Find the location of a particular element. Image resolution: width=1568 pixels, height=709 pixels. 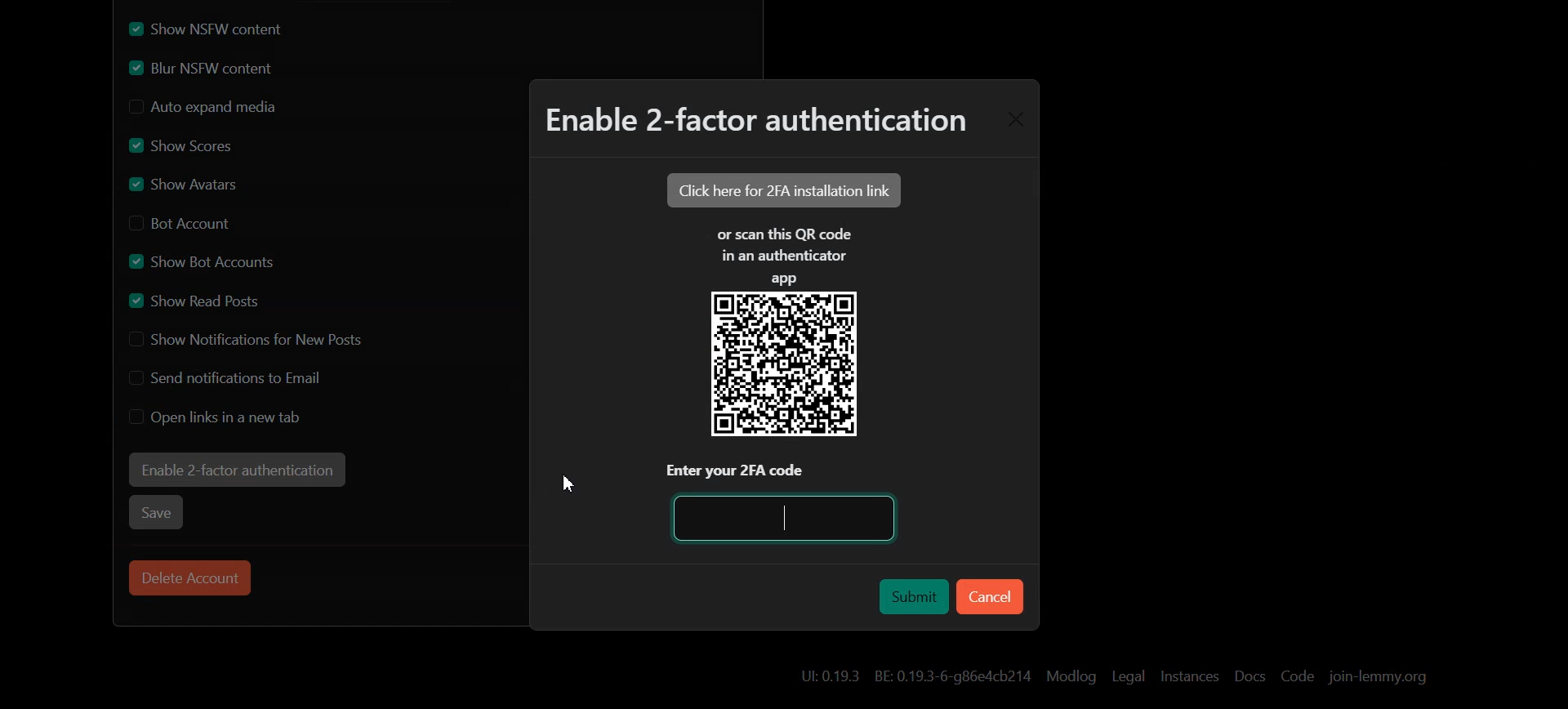

Enable Show Avatars is located at coordinates (193, 183).